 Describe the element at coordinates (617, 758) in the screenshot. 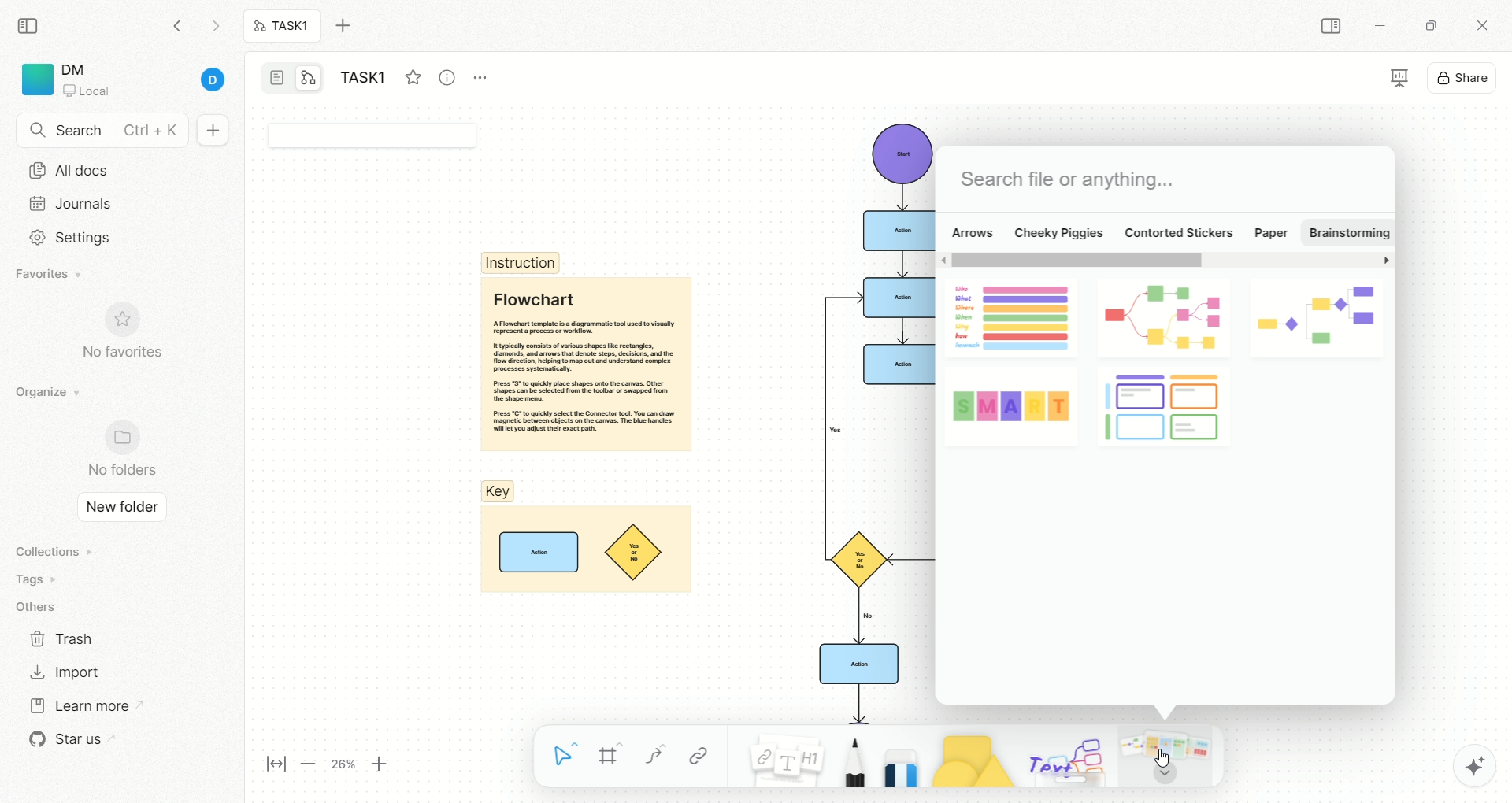

I see `frame` at that location.